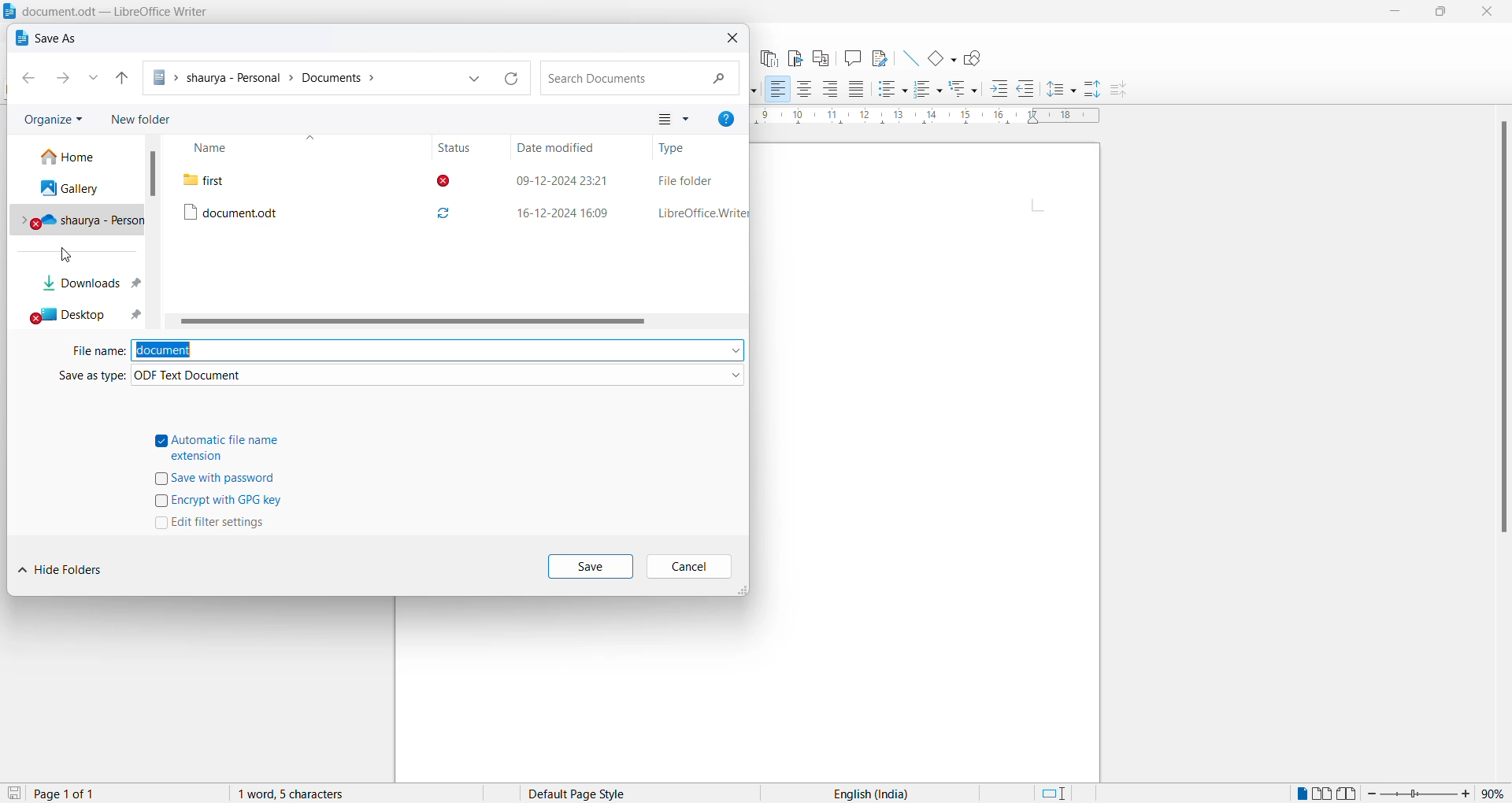 Image resolution: width=1512 pixels, height=803 pixels. What do you see at coordinates (453, 147) in the screenshot?
I see `Status` at bounding box center [453, 147].